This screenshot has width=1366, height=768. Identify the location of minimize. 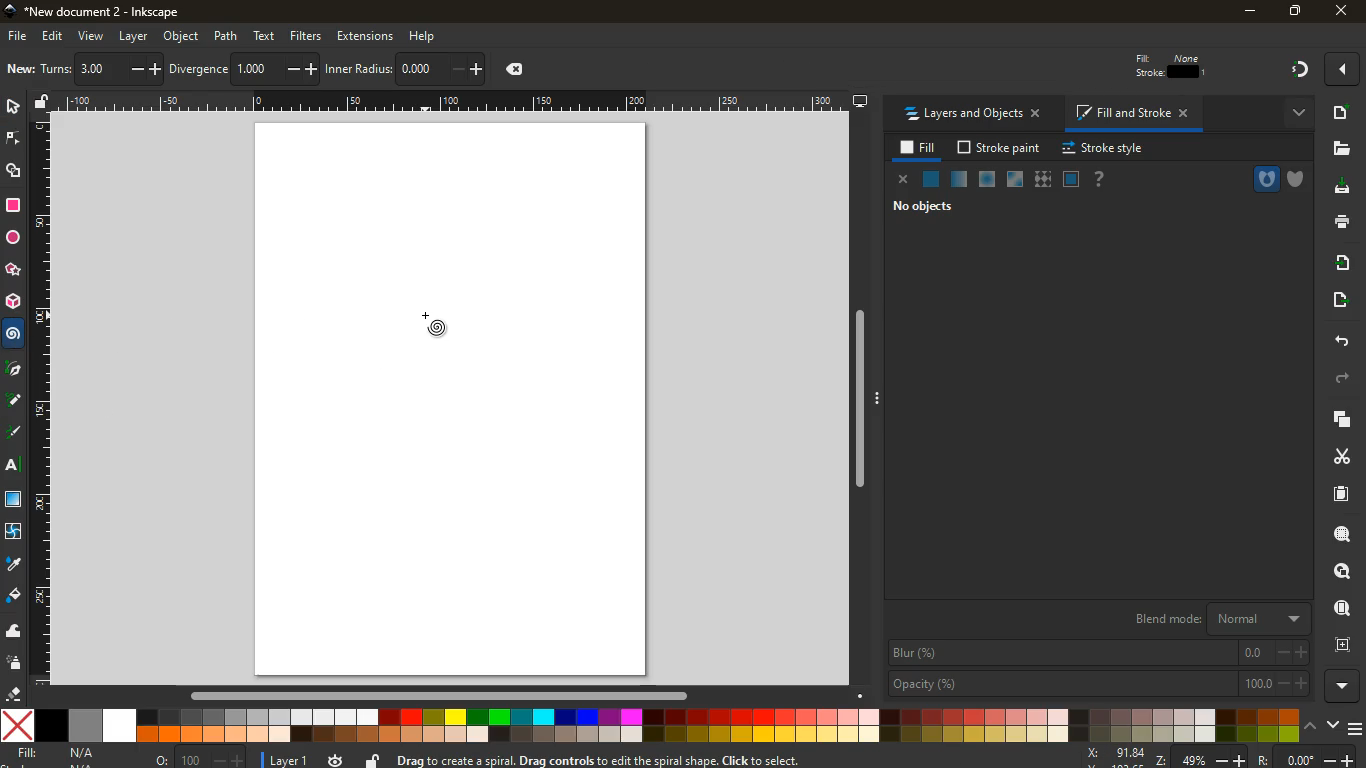
(1246, 12).